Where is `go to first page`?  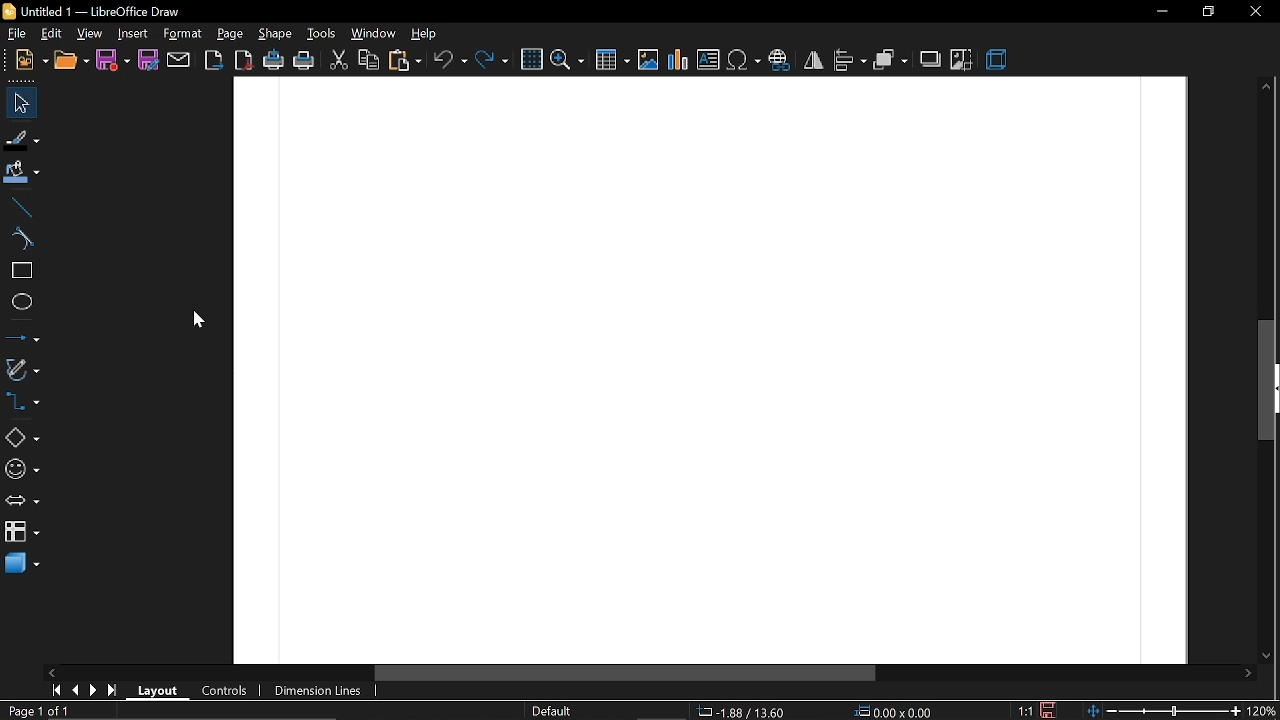 go to first page is located at coordinates (53, 690).